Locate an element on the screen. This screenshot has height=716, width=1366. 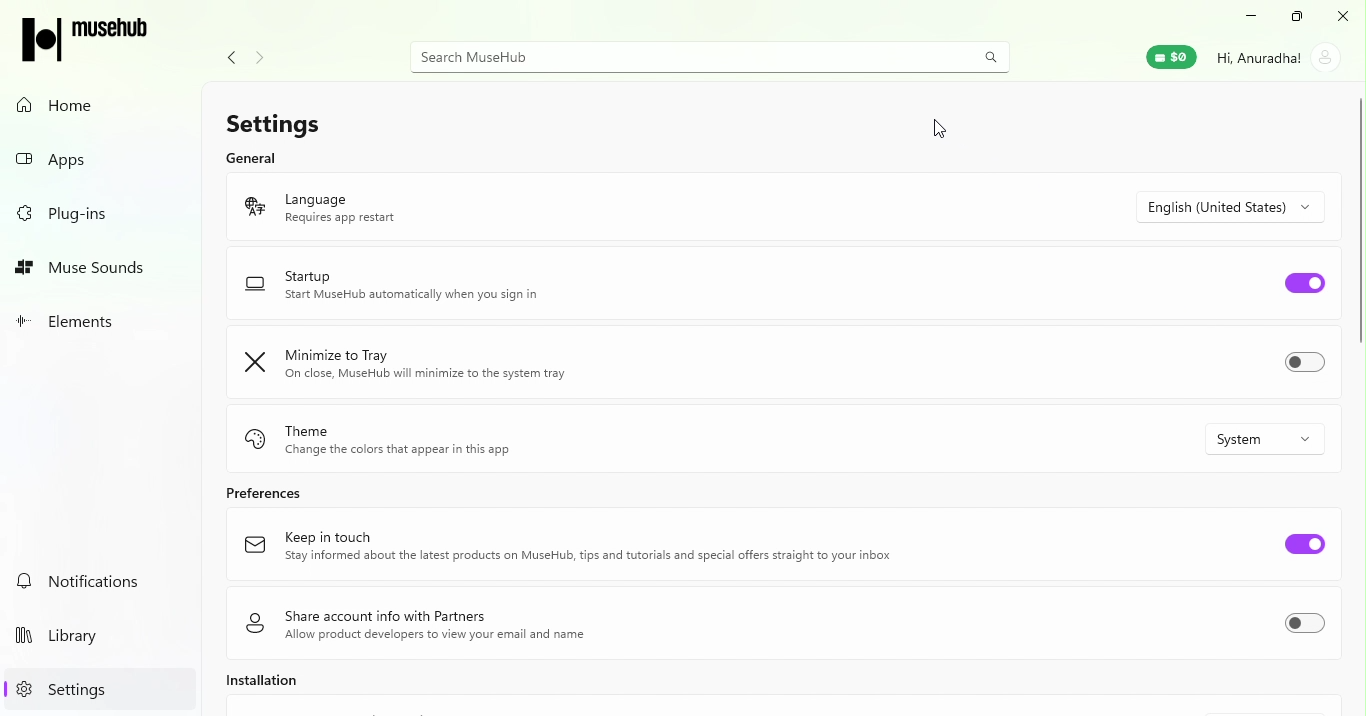
Apps is located at coordinates (64, 157).